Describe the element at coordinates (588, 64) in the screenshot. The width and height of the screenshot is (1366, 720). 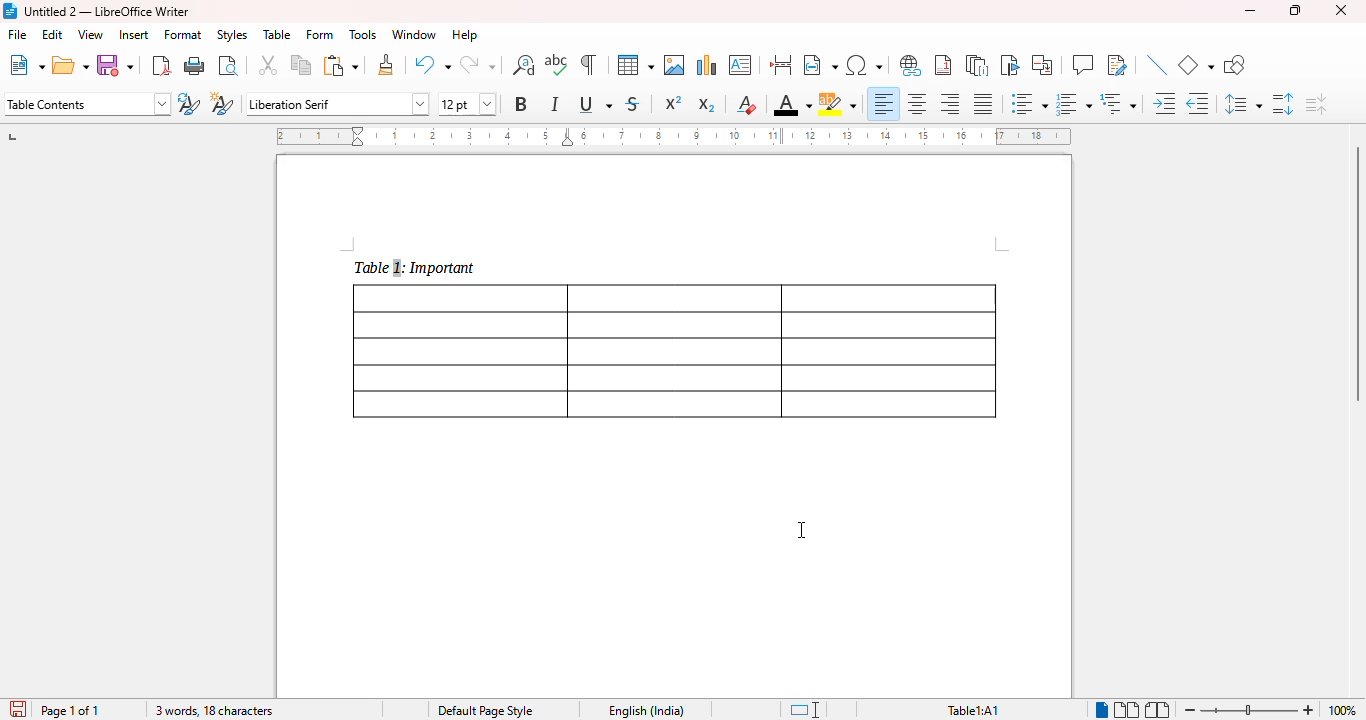
I see `toggle formatting marks ` at that location.